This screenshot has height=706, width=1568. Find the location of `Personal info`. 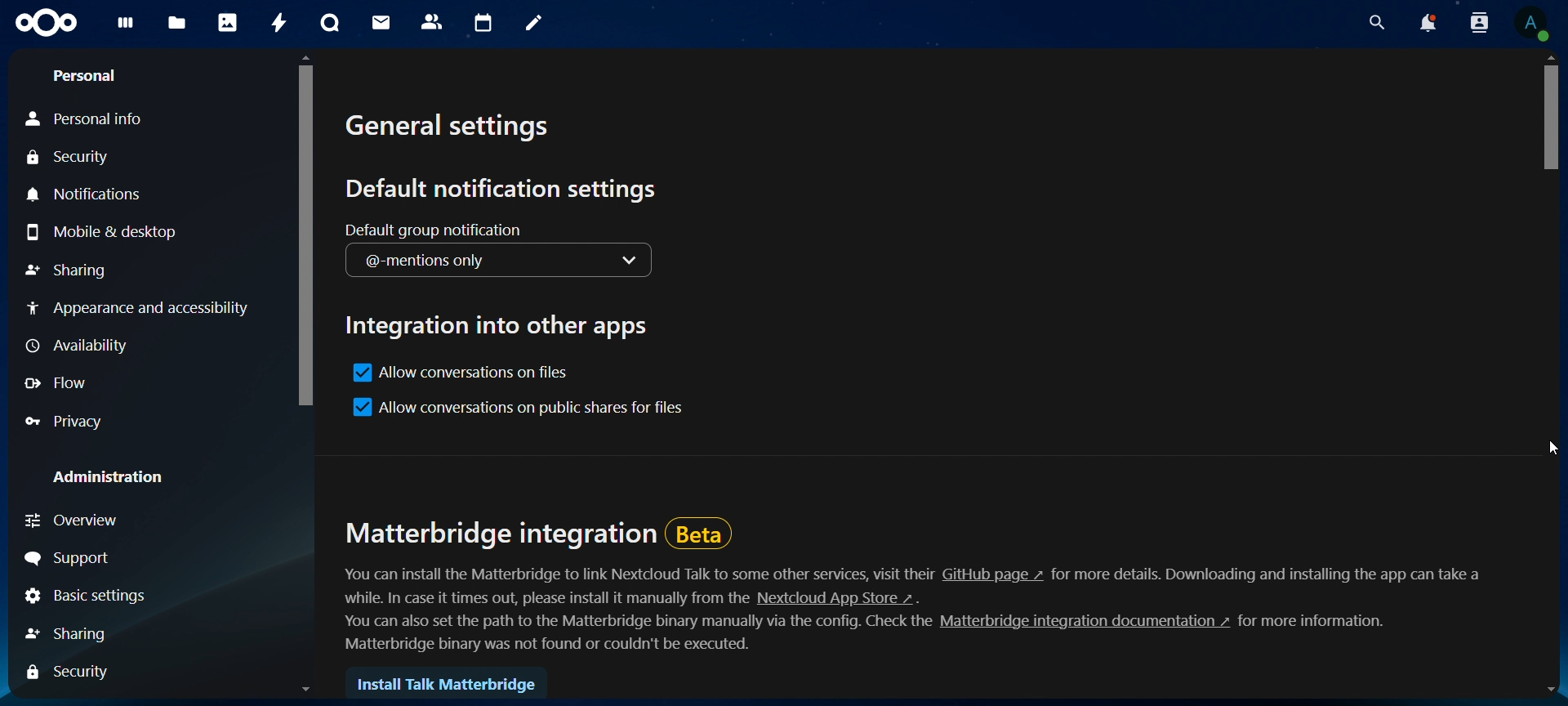

Personal info is located at coordinates (90, 115).